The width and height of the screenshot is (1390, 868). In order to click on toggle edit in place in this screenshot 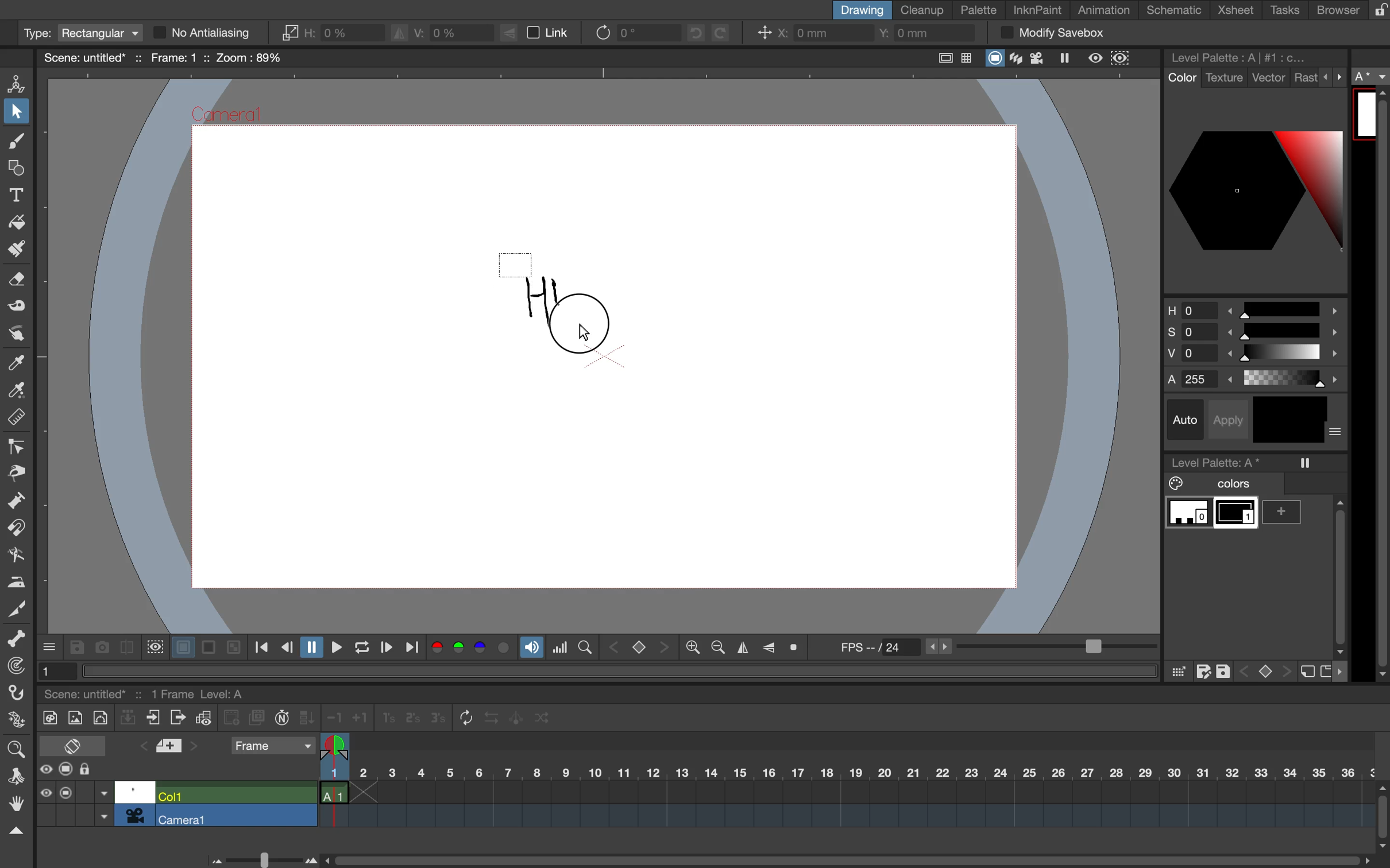, I will do `click(203, 720)`.